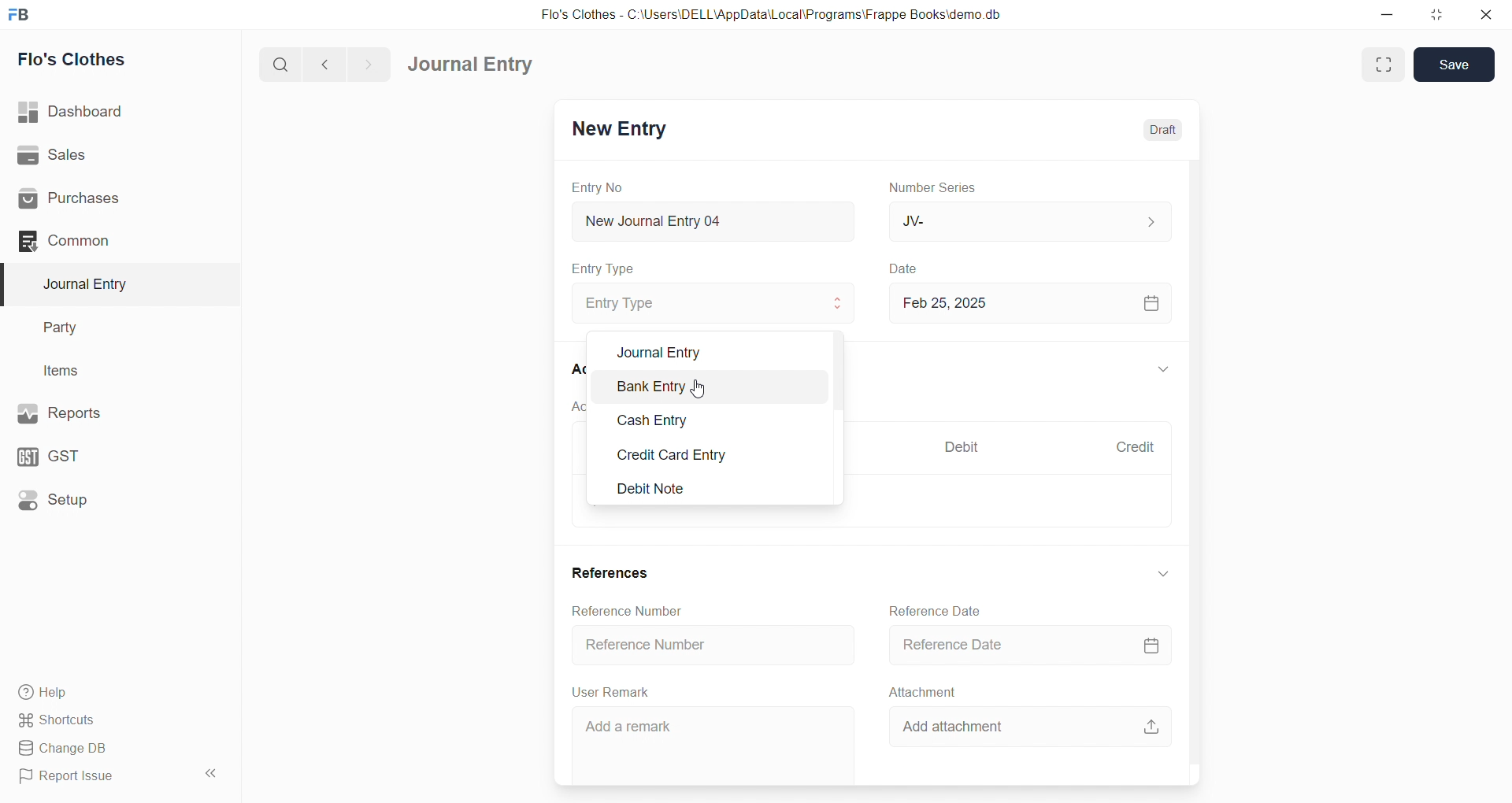 This screenshot has width=1512, height=803. What do you see at coordinates (113, 60) in the screenshot?
I see `Flo's Clothes` at bounding box center [113, 60].